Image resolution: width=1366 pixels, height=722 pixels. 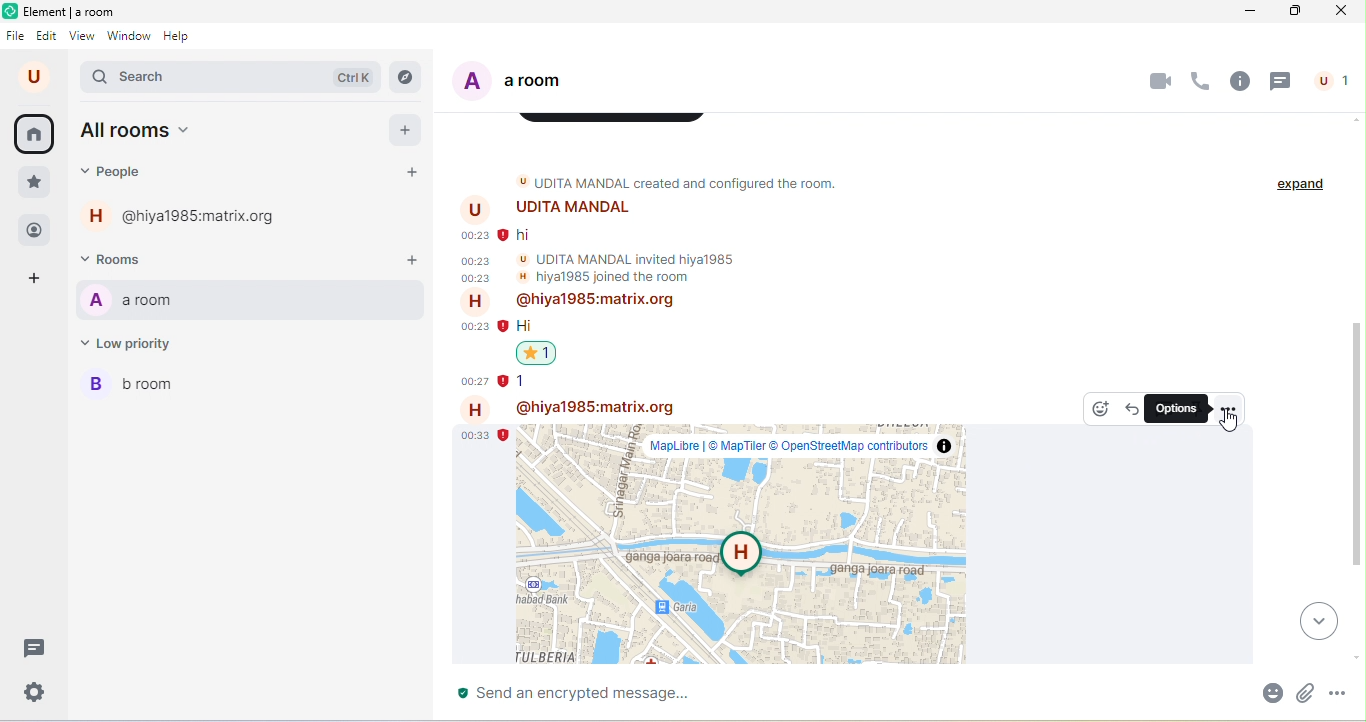 I want to click on Udita Mandal created and configured the room, so click(x=692, y=182).